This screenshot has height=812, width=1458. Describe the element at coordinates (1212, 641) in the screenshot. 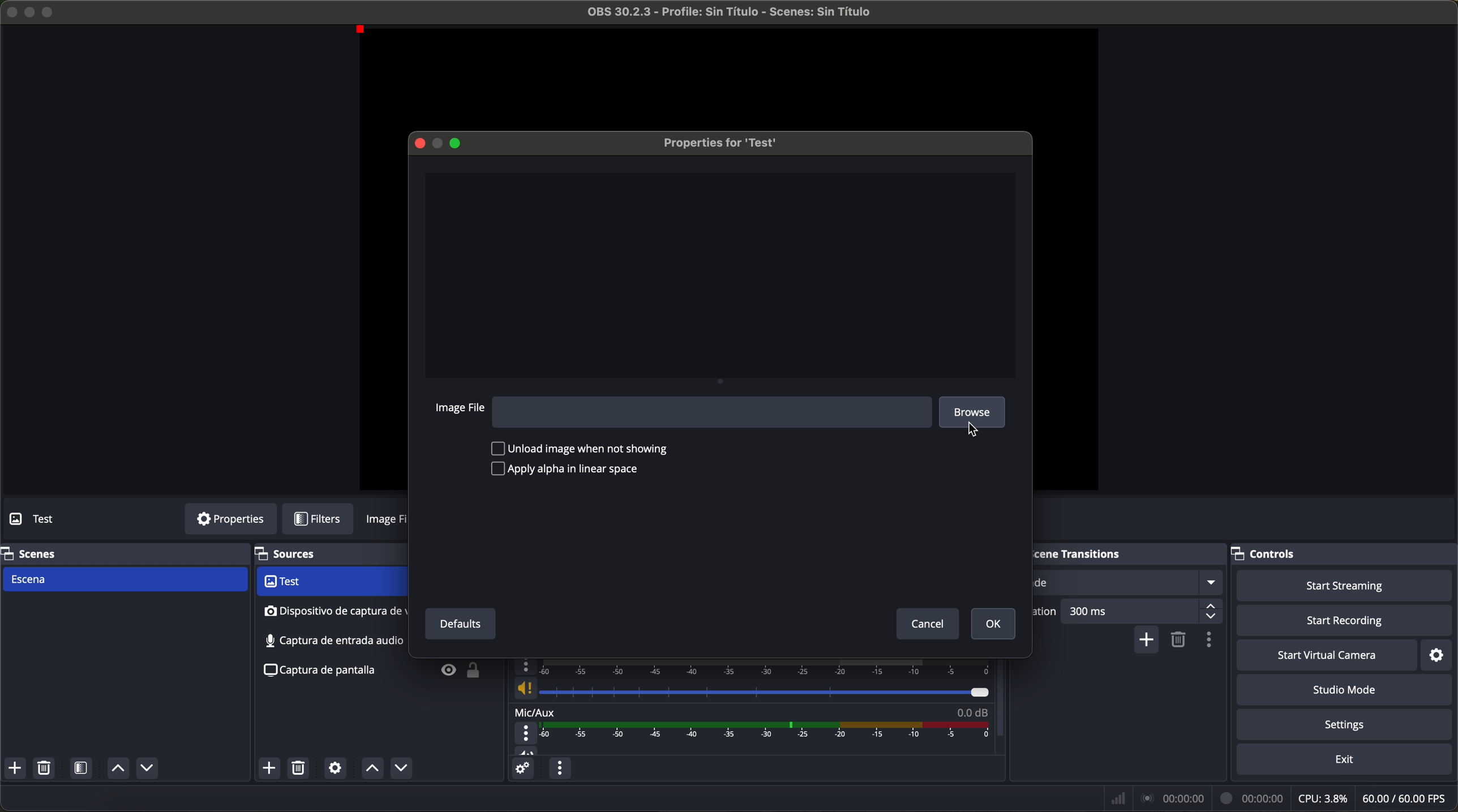

I see `transition properties` at that location.